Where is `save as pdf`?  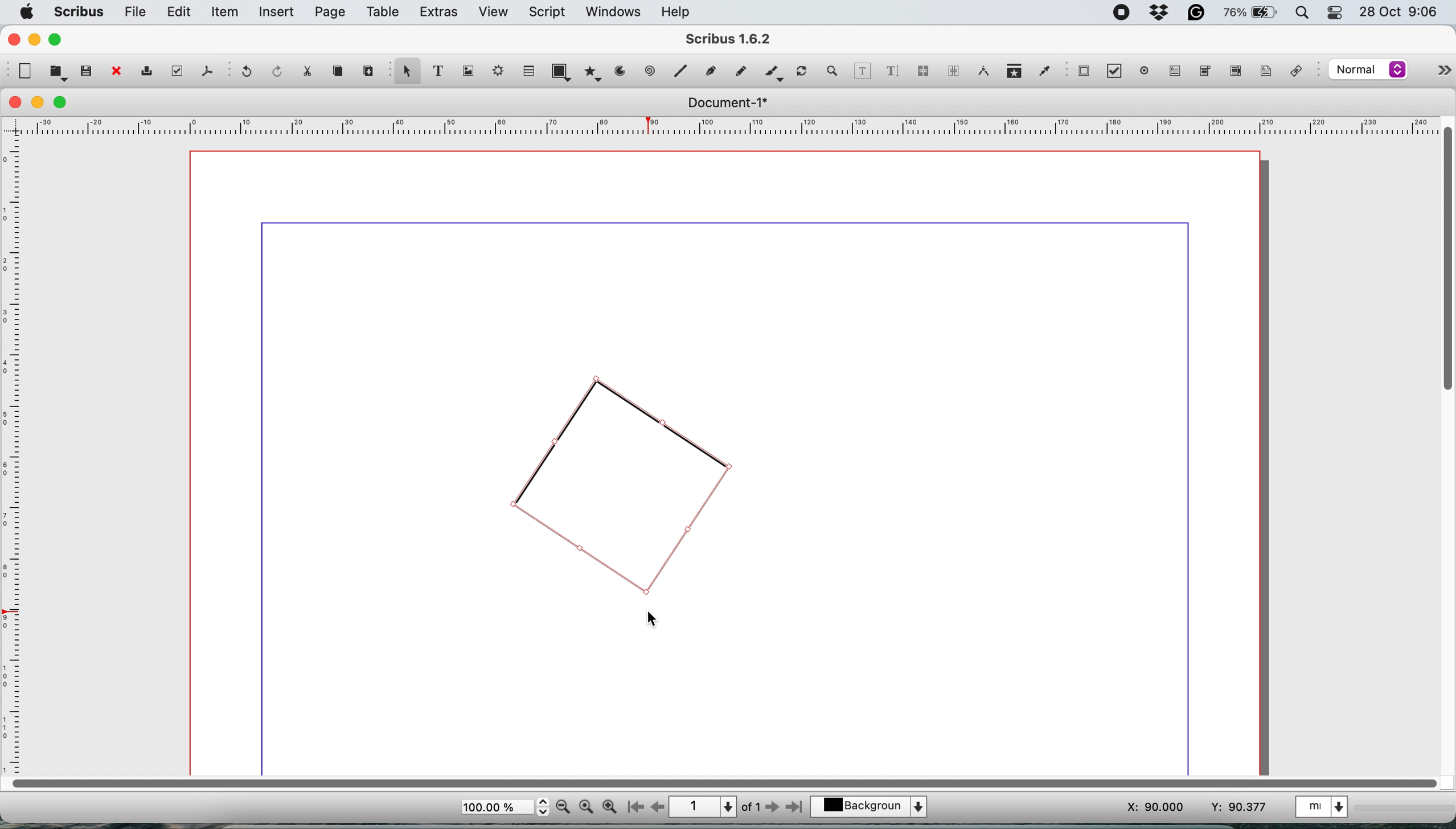 save as pdf is located at coordinates (205, 71).